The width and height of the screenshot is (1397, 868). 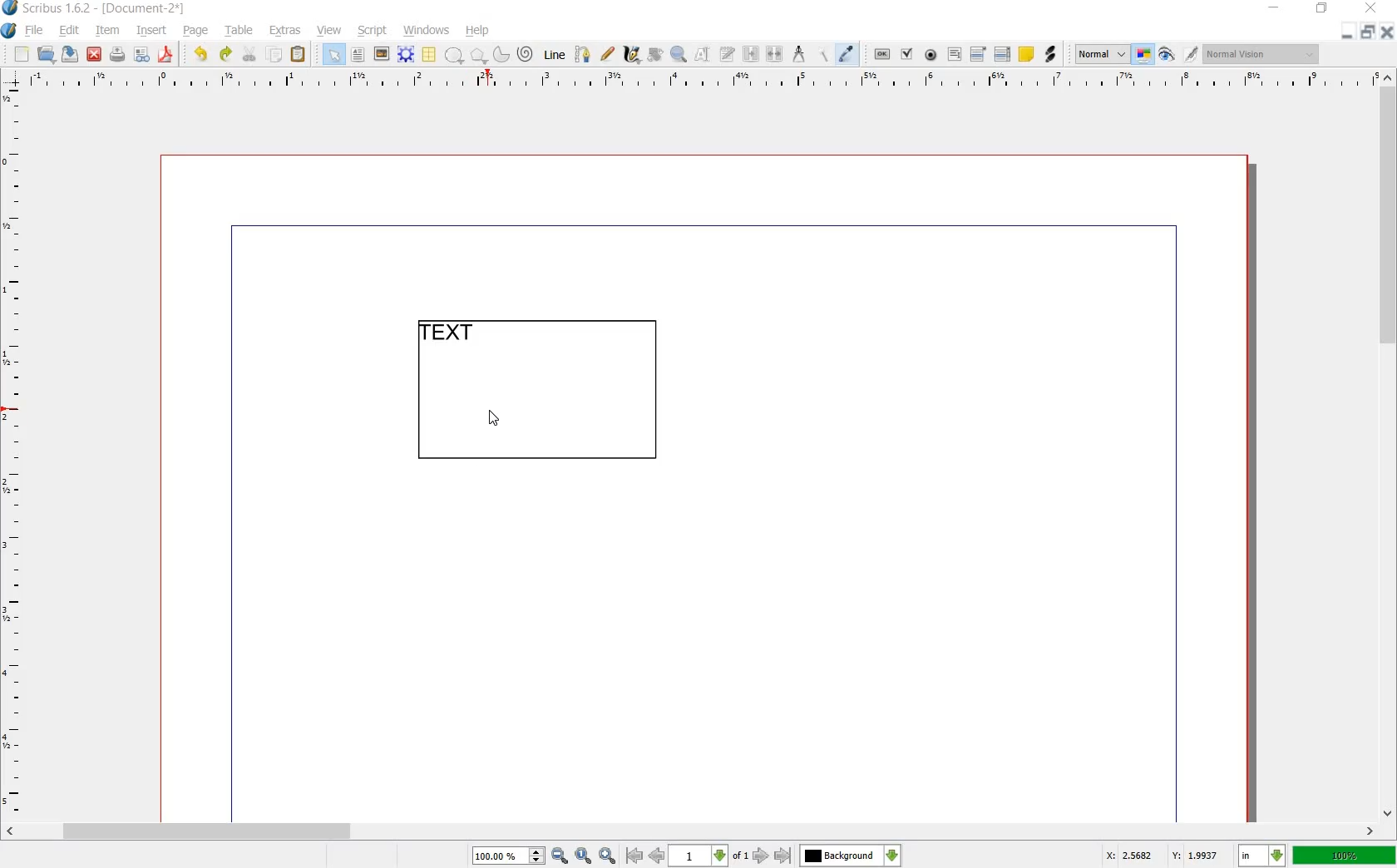 I want to click on pdf combo box, so click(x=979, y=53).